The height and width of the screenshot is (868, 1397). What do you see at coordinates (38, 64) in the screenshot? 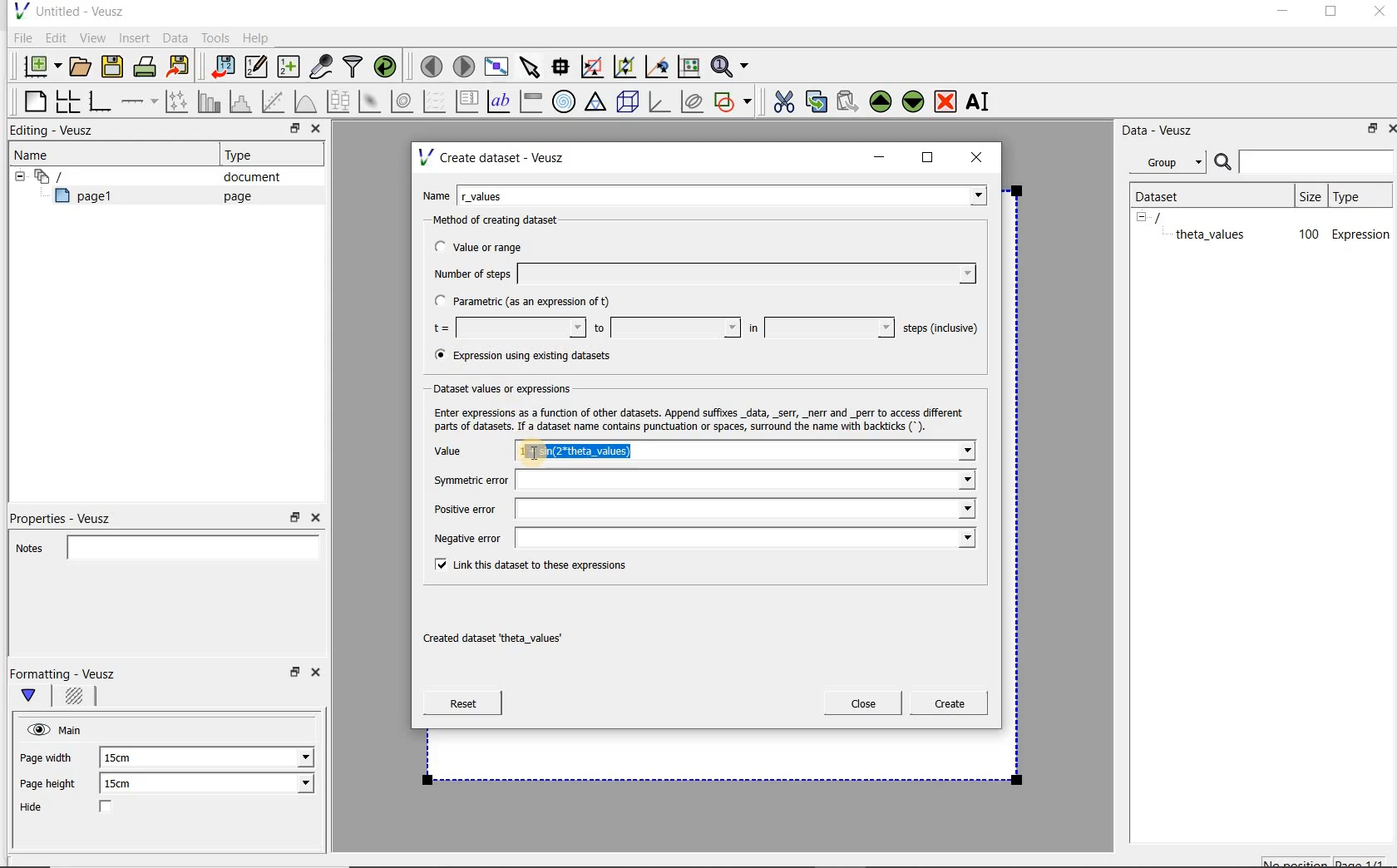
I see `new document` at bounding box center [38, 64].